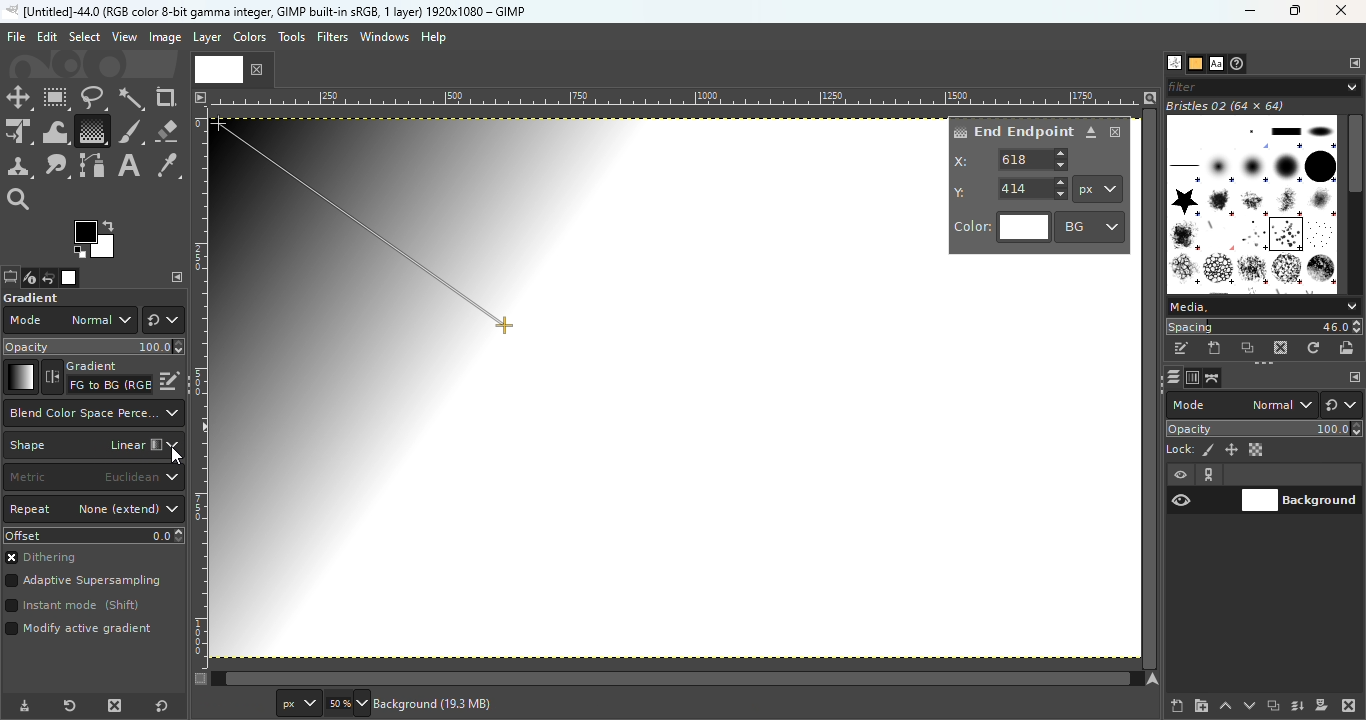 This screenshot has height=720, width=1366. Describe the element at coordinates (177, 277) in the screenshot. I see `Configure this tab` at that location.